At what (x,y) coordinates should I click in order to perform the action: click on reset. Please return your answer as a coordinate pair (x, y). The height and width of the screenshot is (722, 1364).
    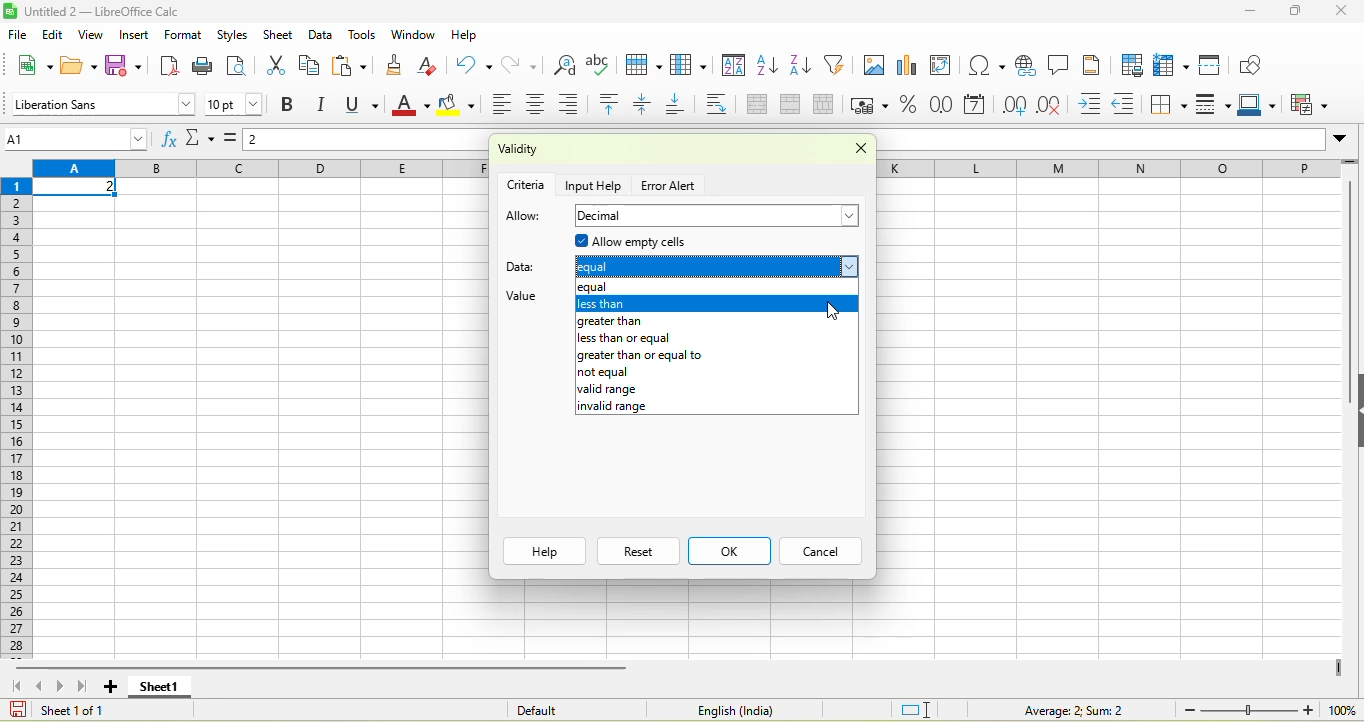
    Looking at the image, I should click on (638, 551).